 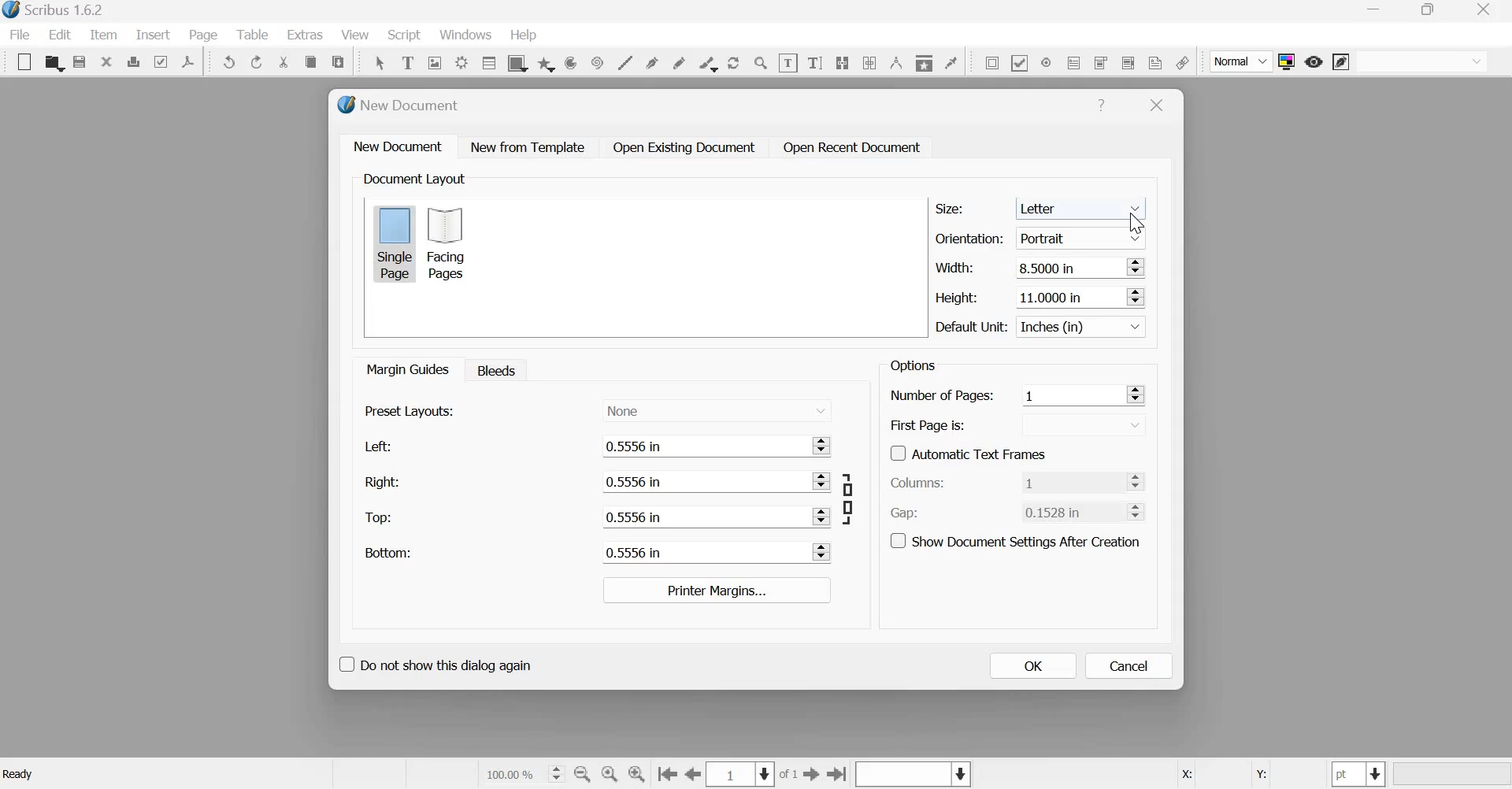 What do you see at coordinates (950, 209) in the screenshot?
I see `Size: ` at bounding box center [950, 209].